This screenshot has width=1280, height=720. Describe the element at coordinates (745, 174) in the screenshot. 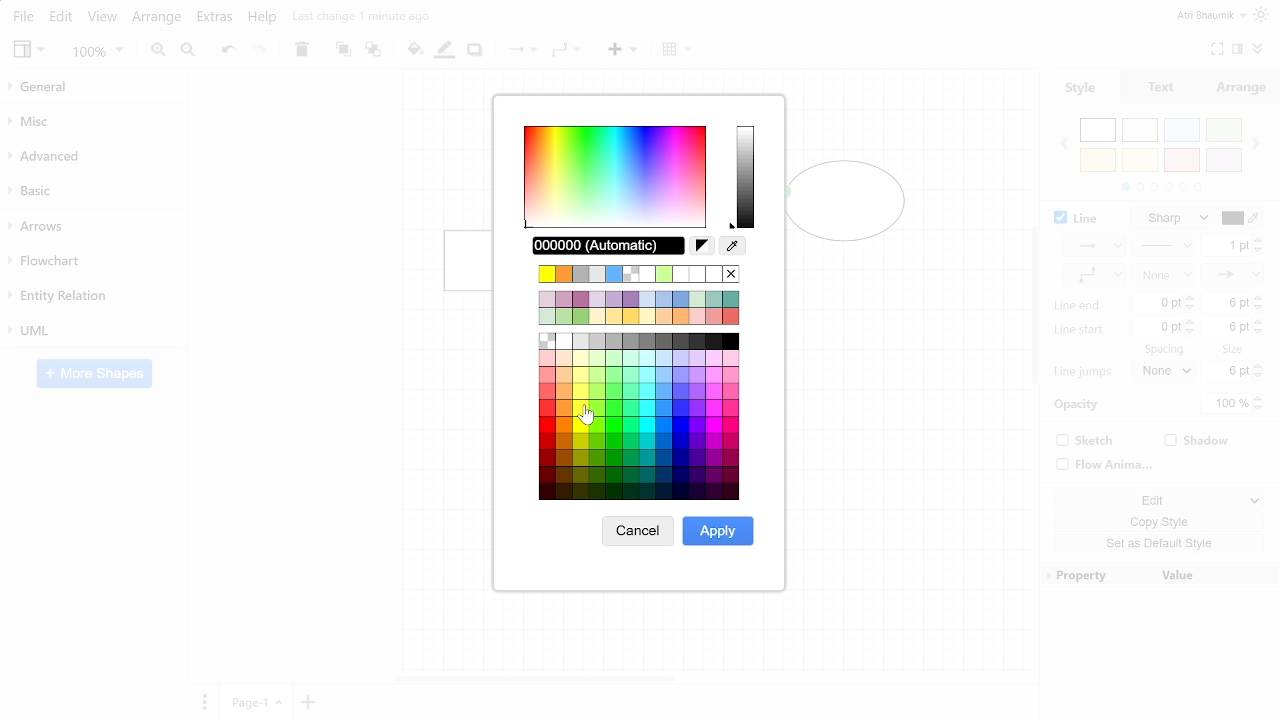

I see `Current color spectrum` at that location.